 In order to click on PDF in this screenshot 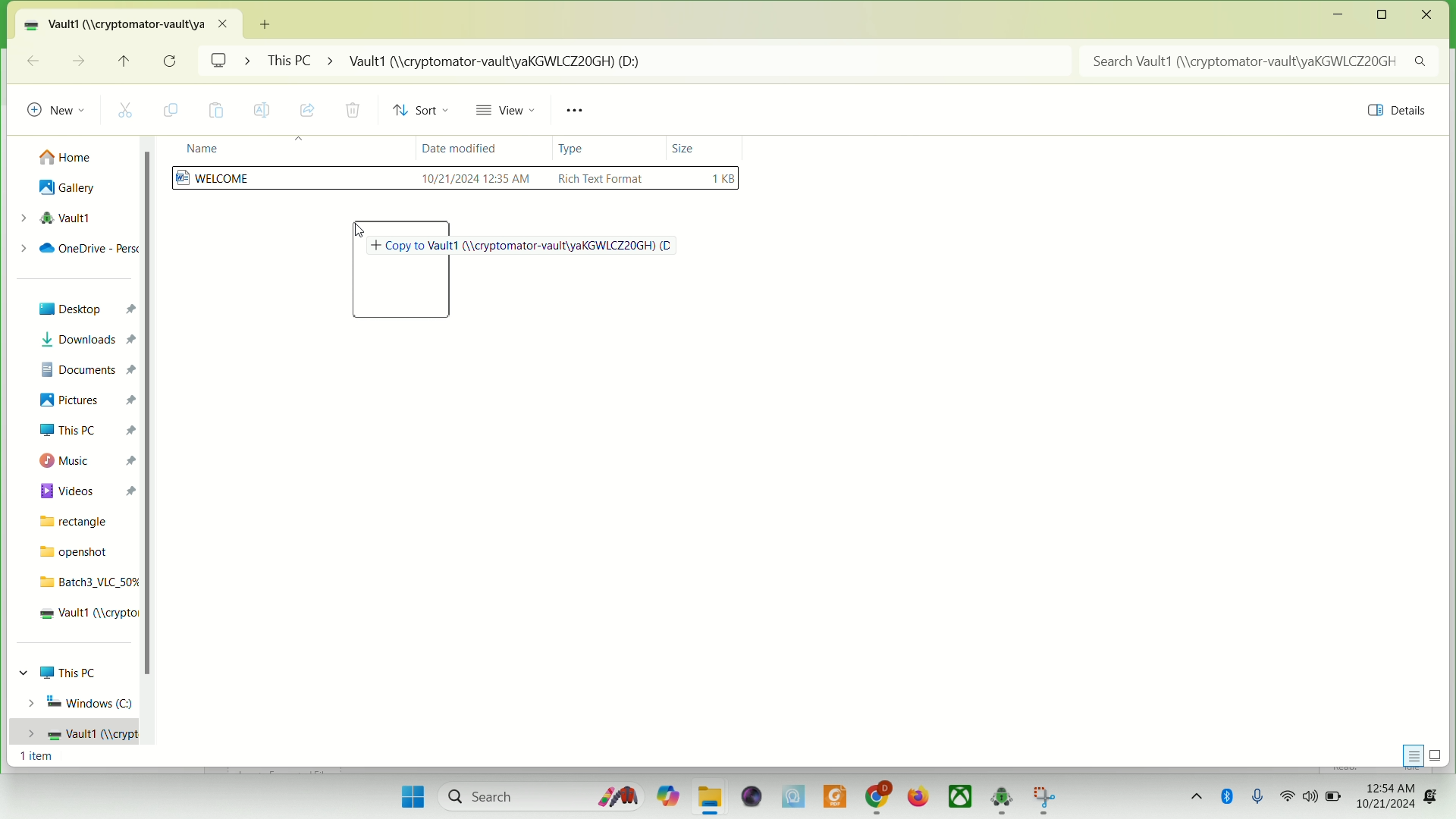, I will do `click(833, 795)`.